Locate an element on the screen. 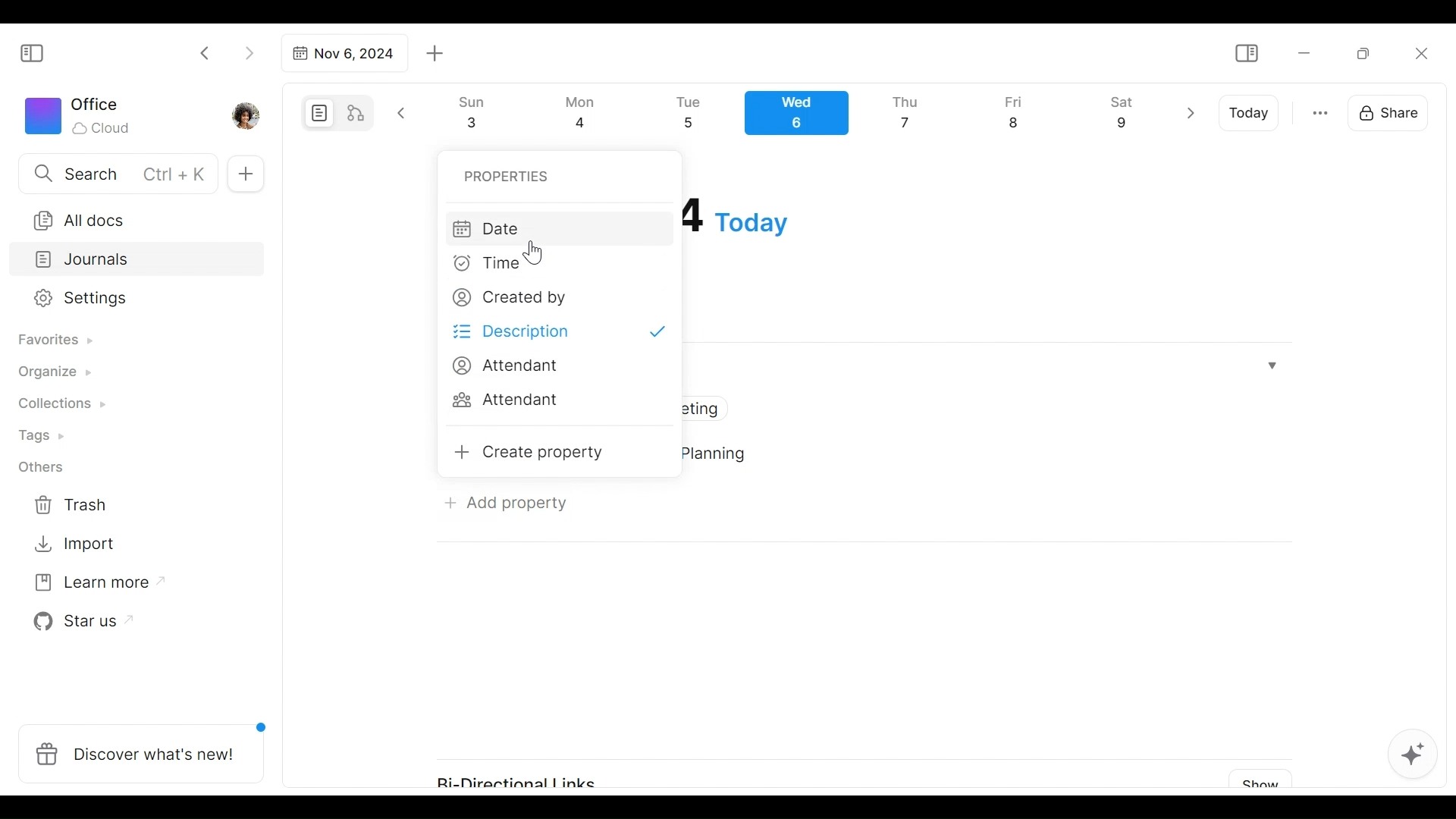  Bi-Directional Links is located at coordinates (529, 775).